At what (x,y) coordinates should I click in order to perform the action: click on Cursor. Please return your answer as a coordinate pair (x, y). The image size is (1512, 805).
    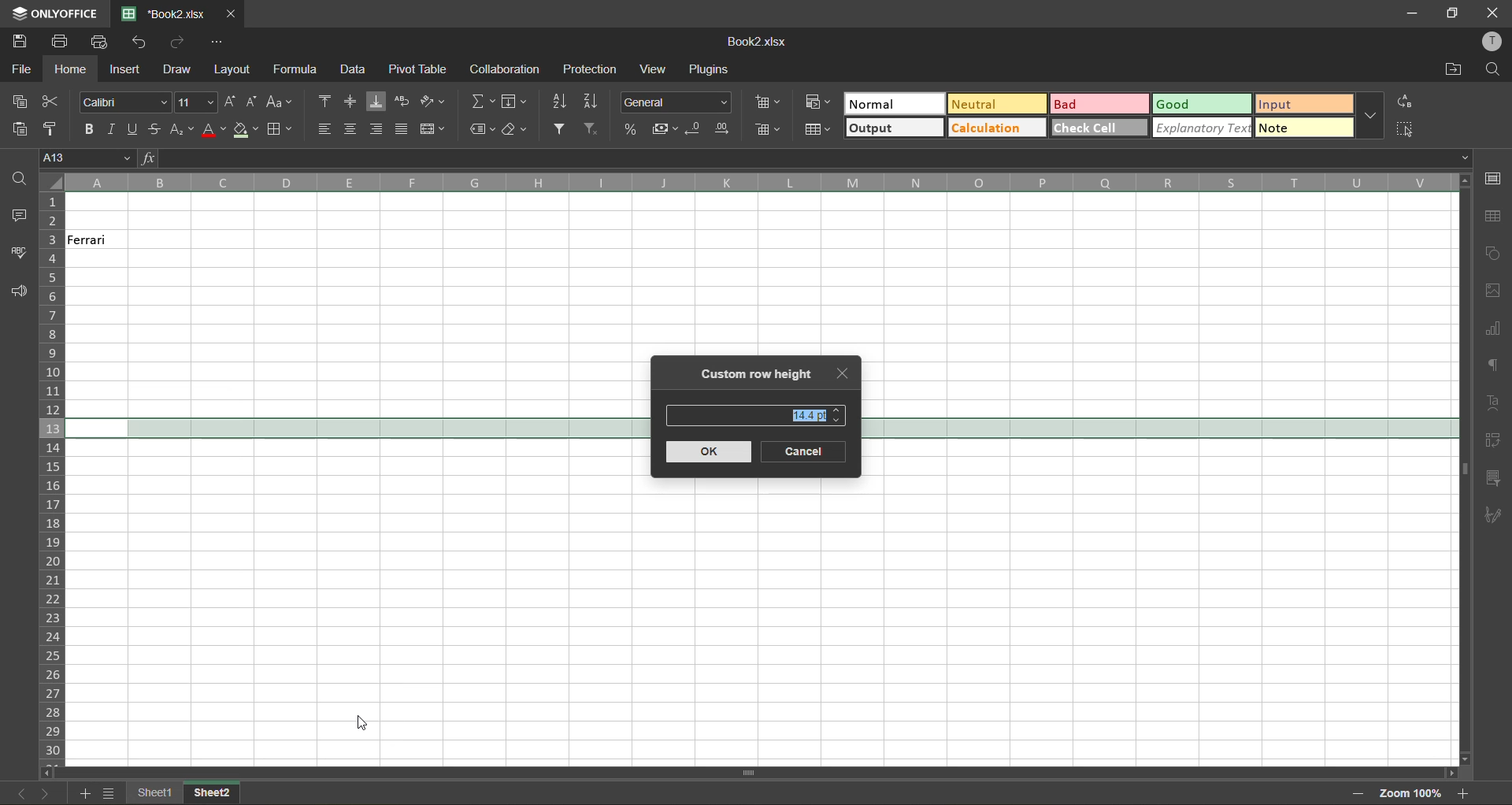
    Looking at the image, I should click on (365, 725).